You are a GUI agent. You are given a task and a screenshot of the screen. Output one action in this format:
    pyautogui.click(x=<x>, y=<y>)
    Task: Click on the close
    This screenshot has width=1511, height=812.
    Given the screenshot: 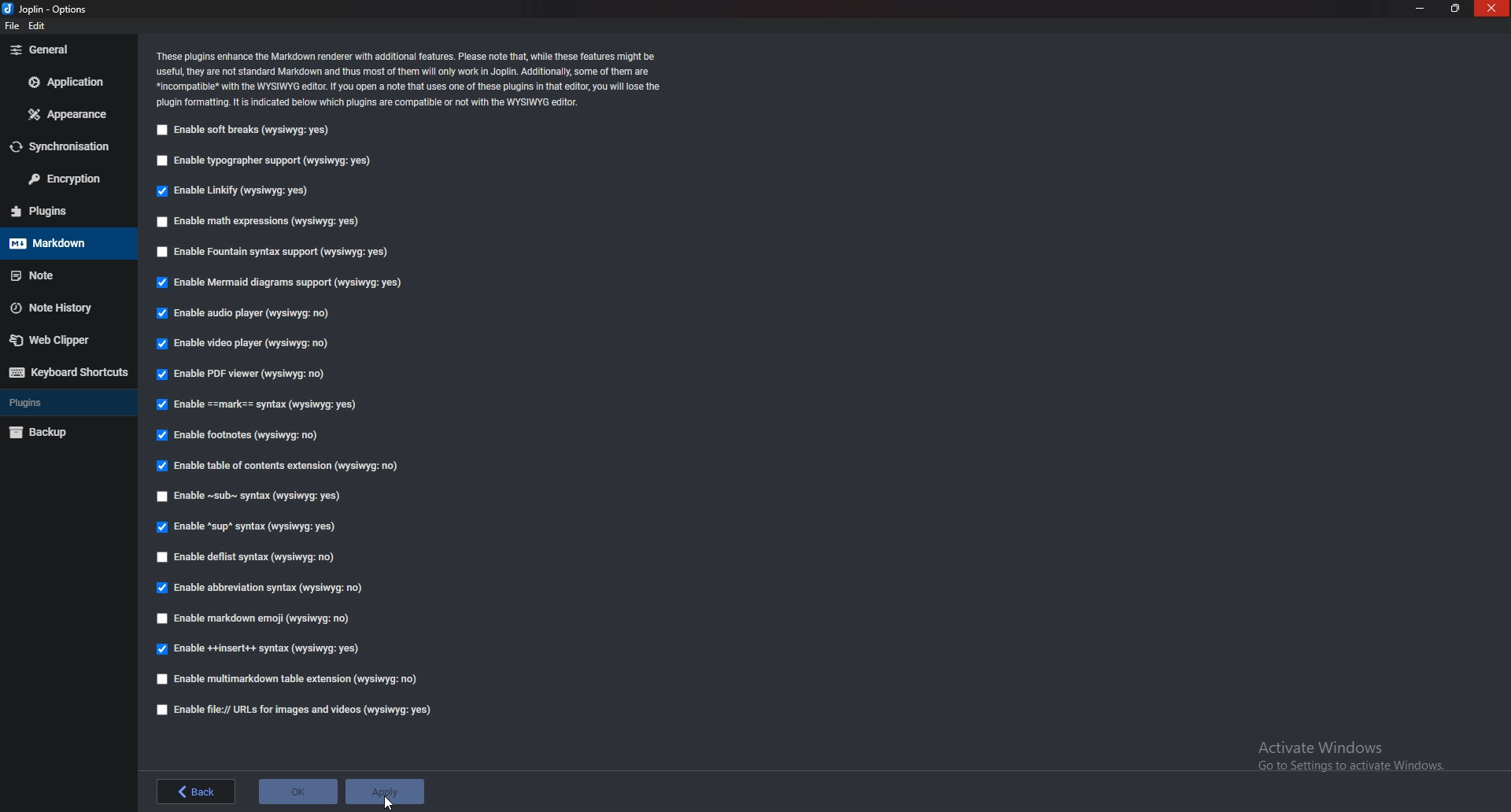 What is the action you would take?
    pyautogui.click(x=1491, y=9)
    